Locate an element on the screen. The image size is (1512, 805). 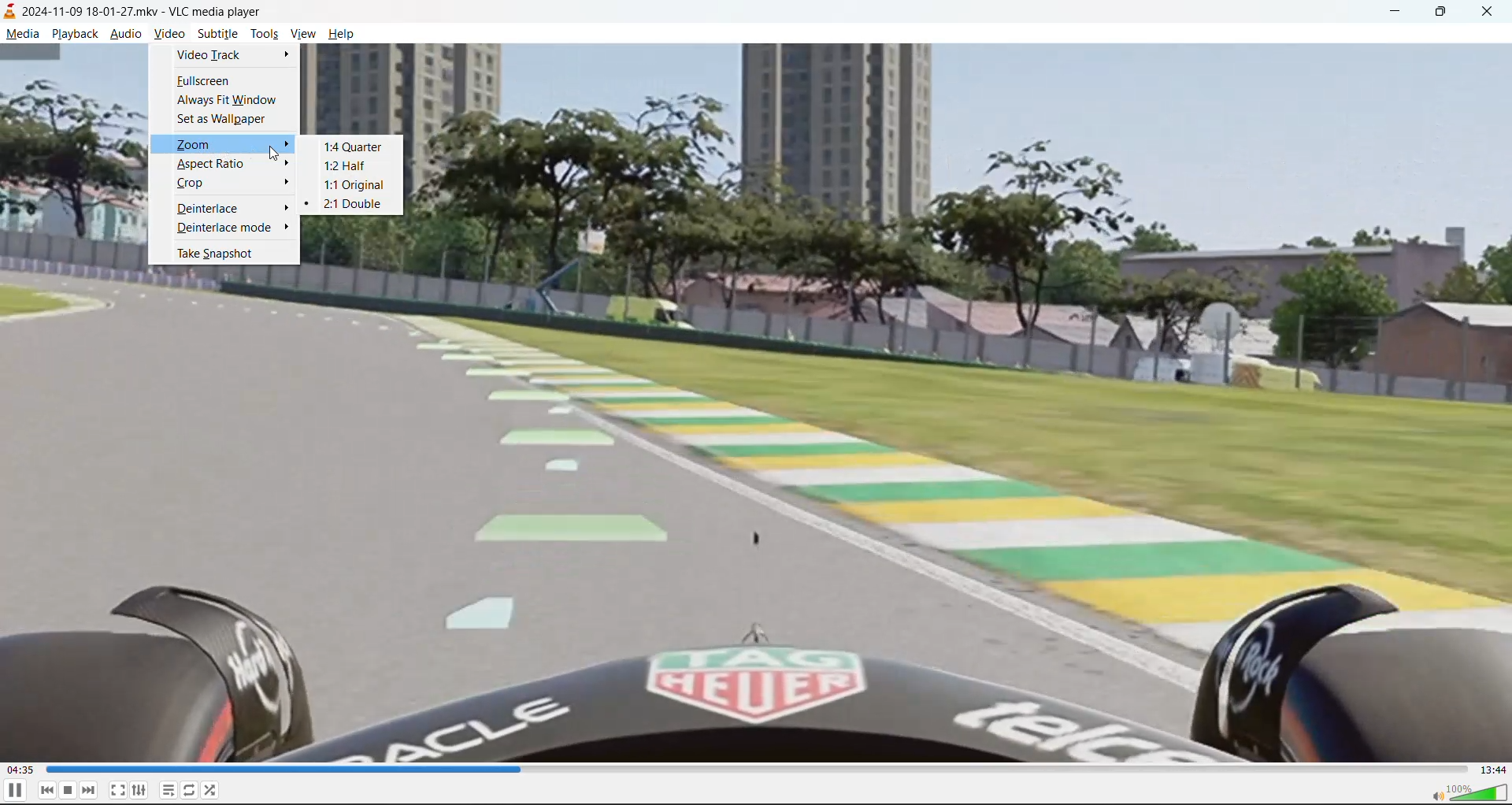
track name and app name is located at coordinates (143, 12).